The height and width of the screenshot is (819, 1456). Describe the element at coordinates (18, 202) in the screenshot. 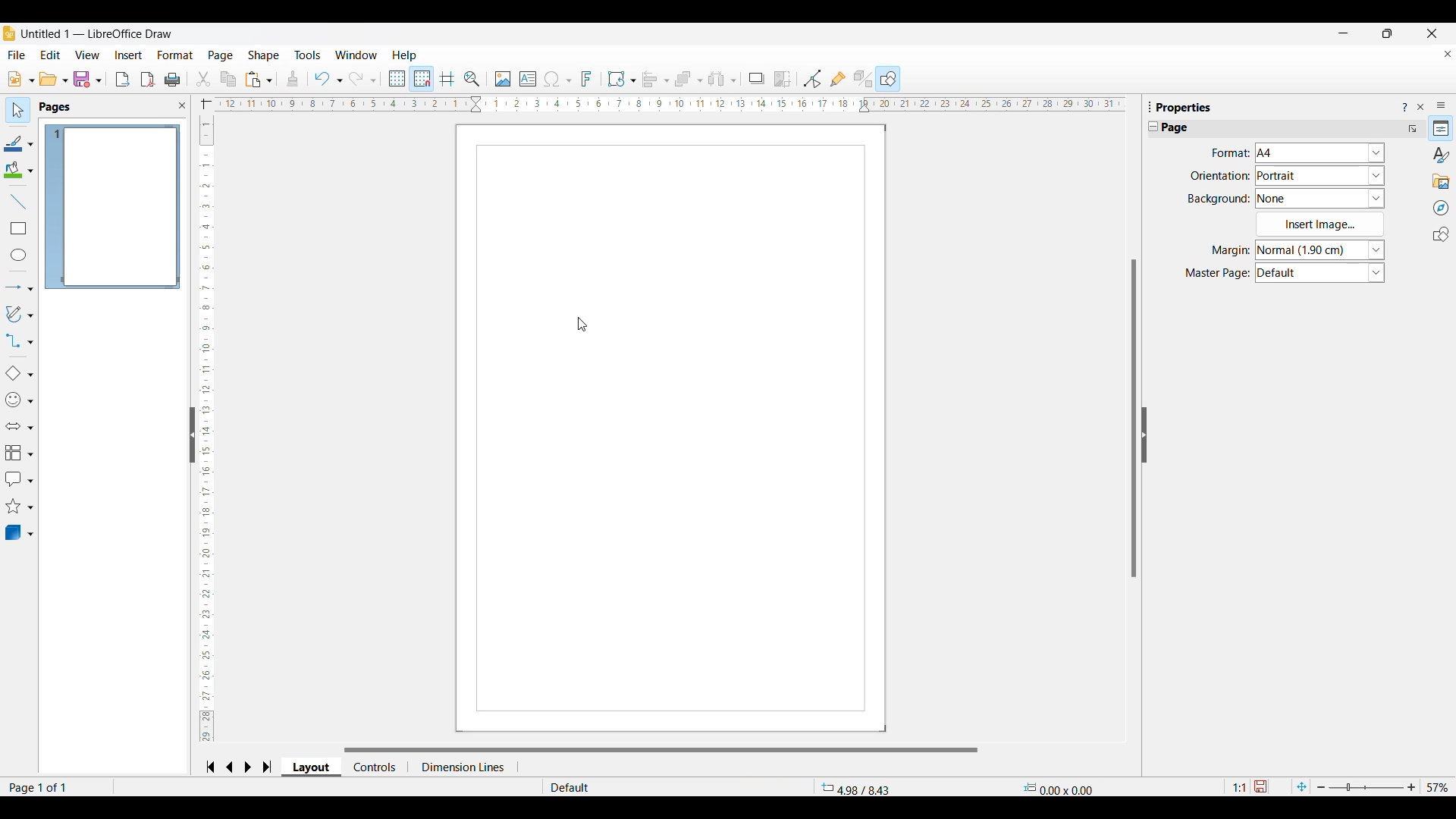

I see `Insert line` at that location.